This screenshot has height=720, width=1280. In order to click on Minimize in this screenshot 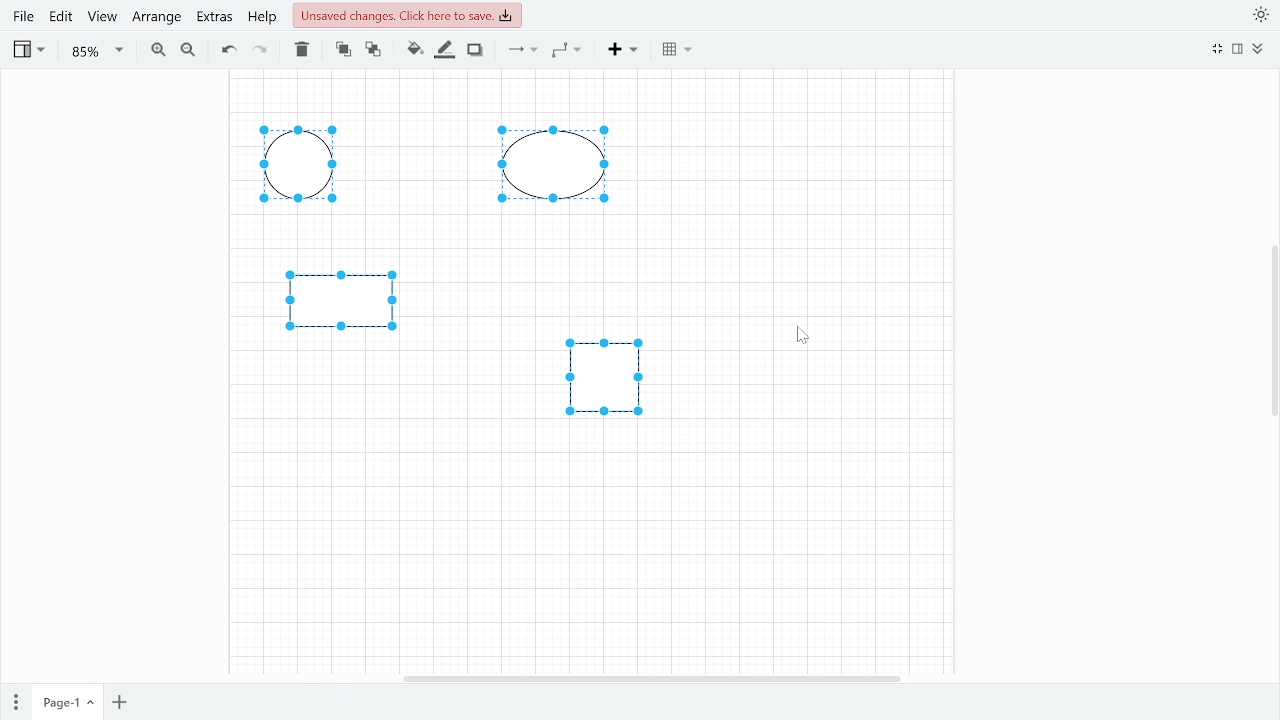, I will do `click(1217, 49)`.